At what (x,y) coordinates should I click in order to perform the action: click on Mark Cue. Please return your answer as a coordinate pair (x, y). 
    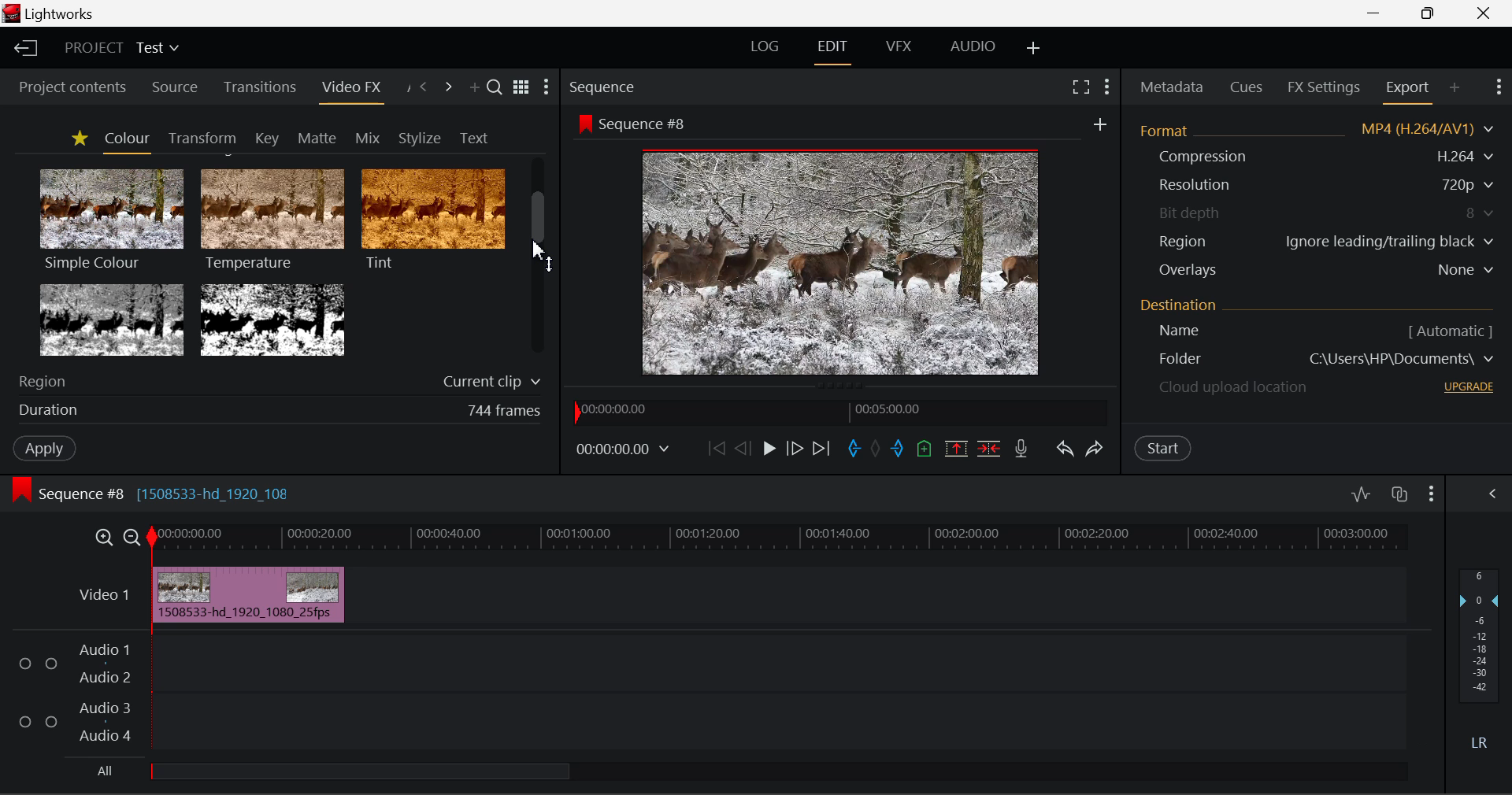
    Looking at the image, I should click on (925, 450).